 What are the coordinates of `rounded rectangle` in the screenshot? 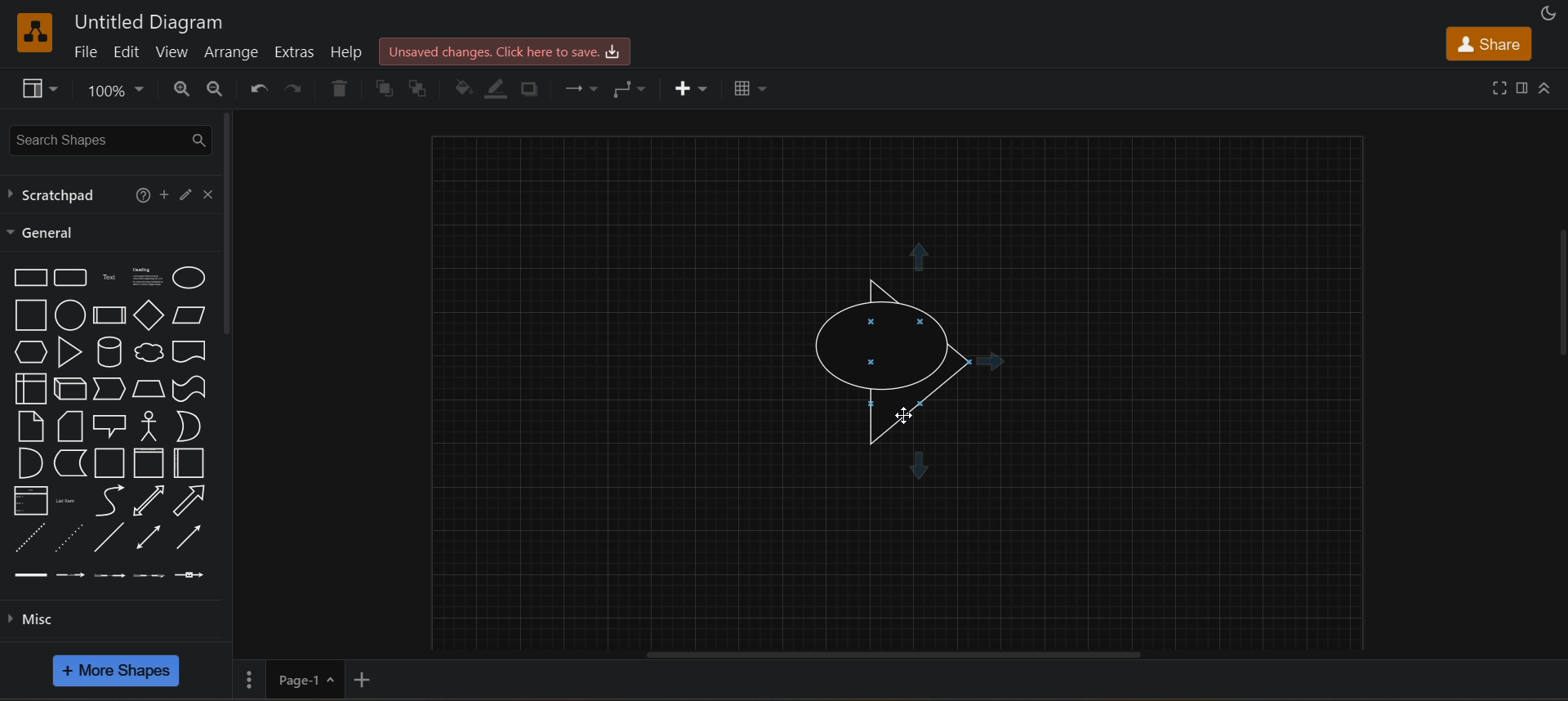 It's located at (71, 277).